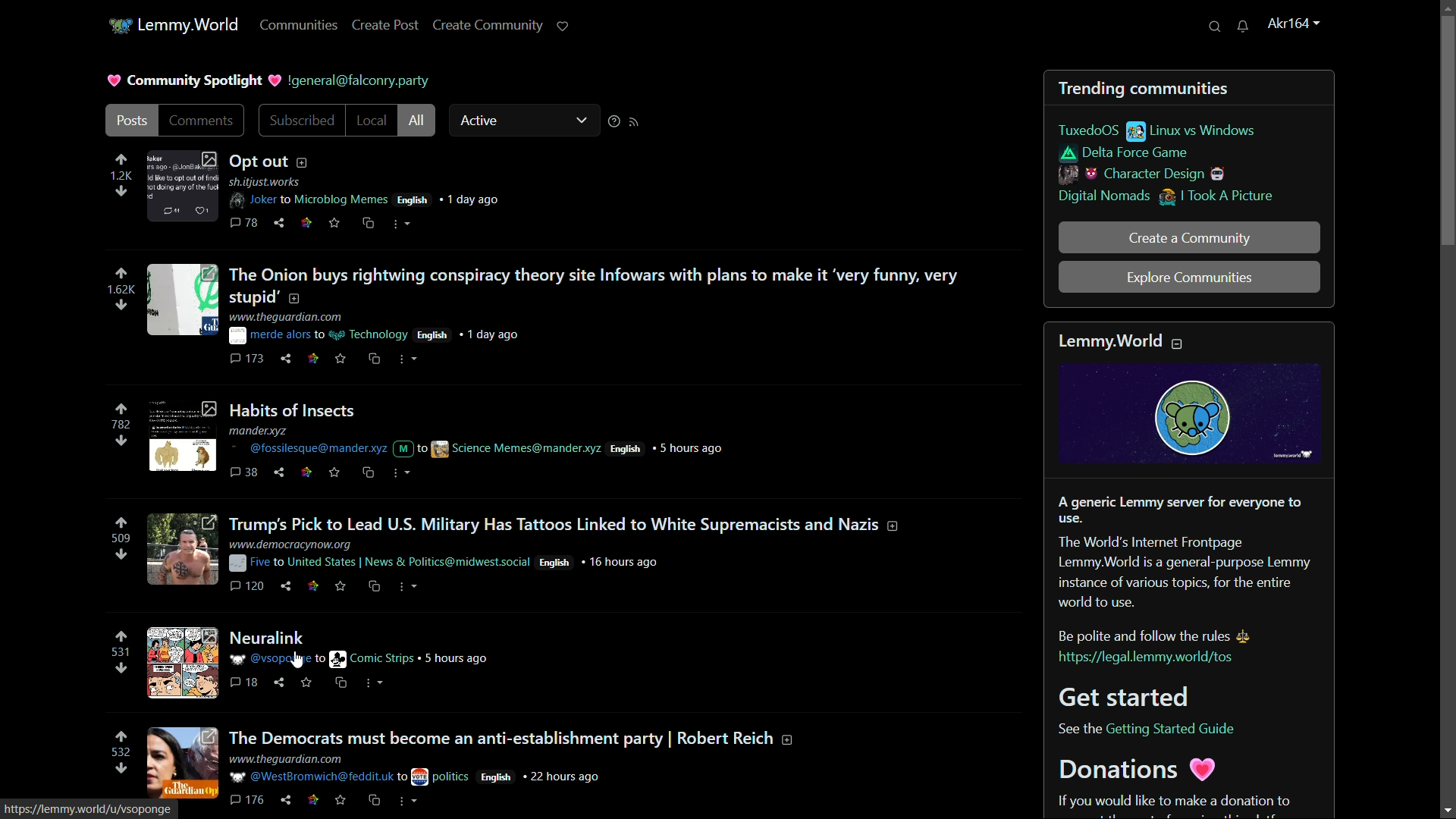 Image resolution: width=1456 pixels, height=819 pixels. Describe the element at coordinates (375, 586) in the screenshot. I see `cs` at that location.